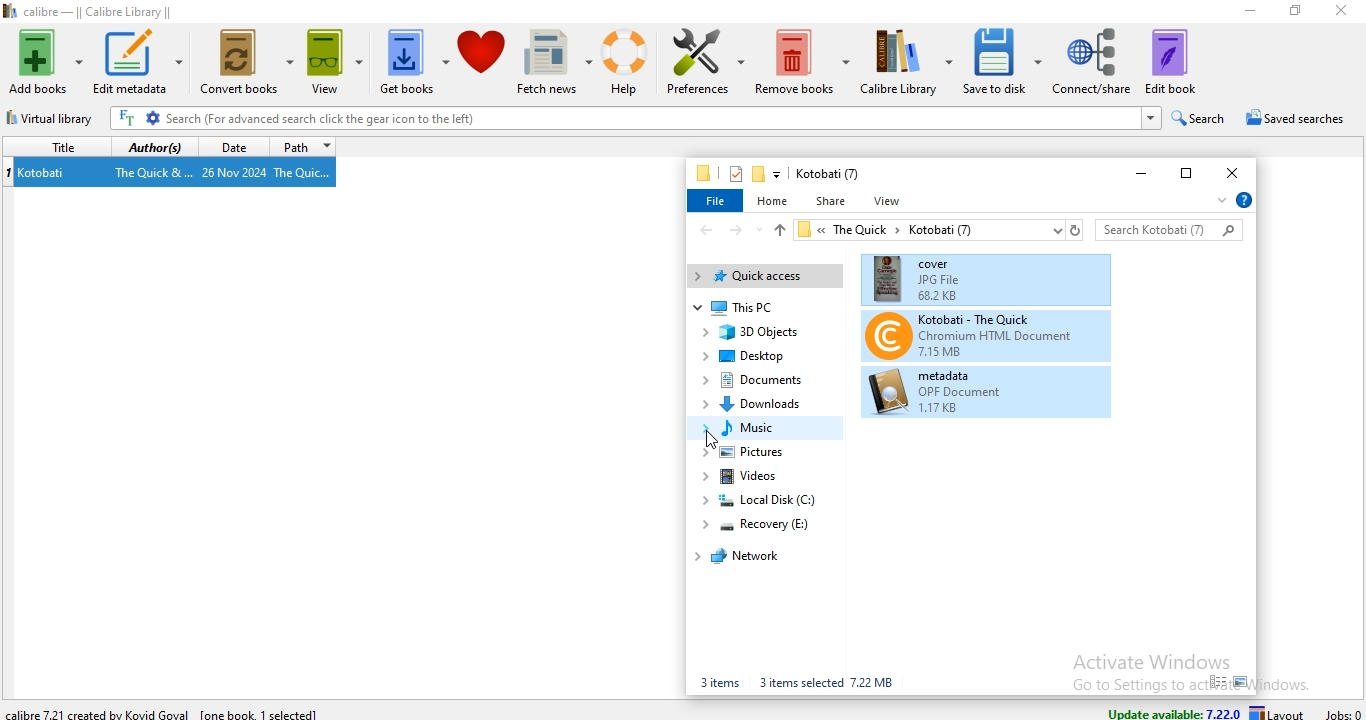 The image size is (1366, 720). Describe the element at coordinates (305, 172) in the screenshot. I see `The Quic...` at that location.